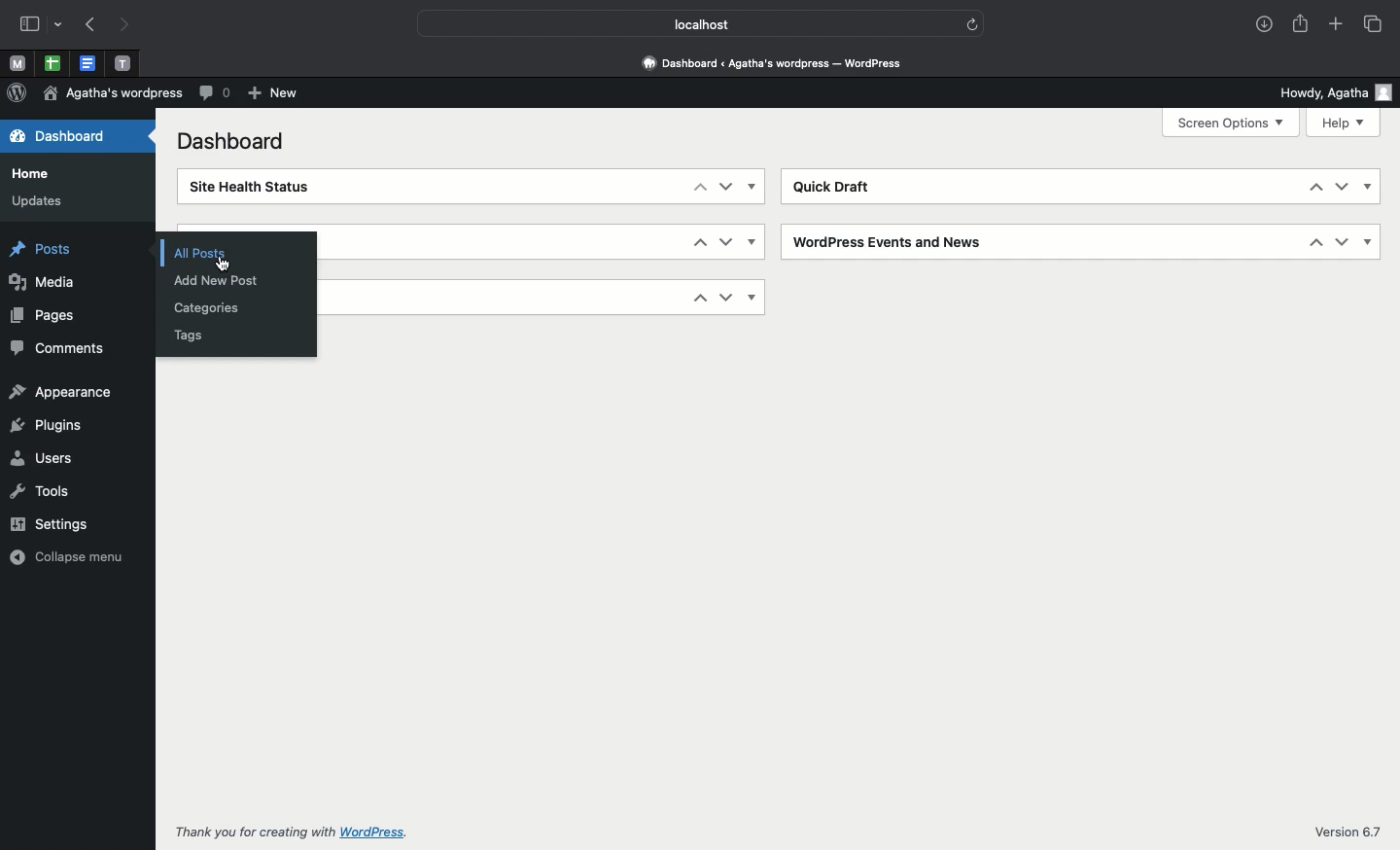 The height and width of the screenshot is (850, 1400). What do you see at coordinates (756, 187) in the screenshot?
I see `Hide` at bounding box center [756, 187].